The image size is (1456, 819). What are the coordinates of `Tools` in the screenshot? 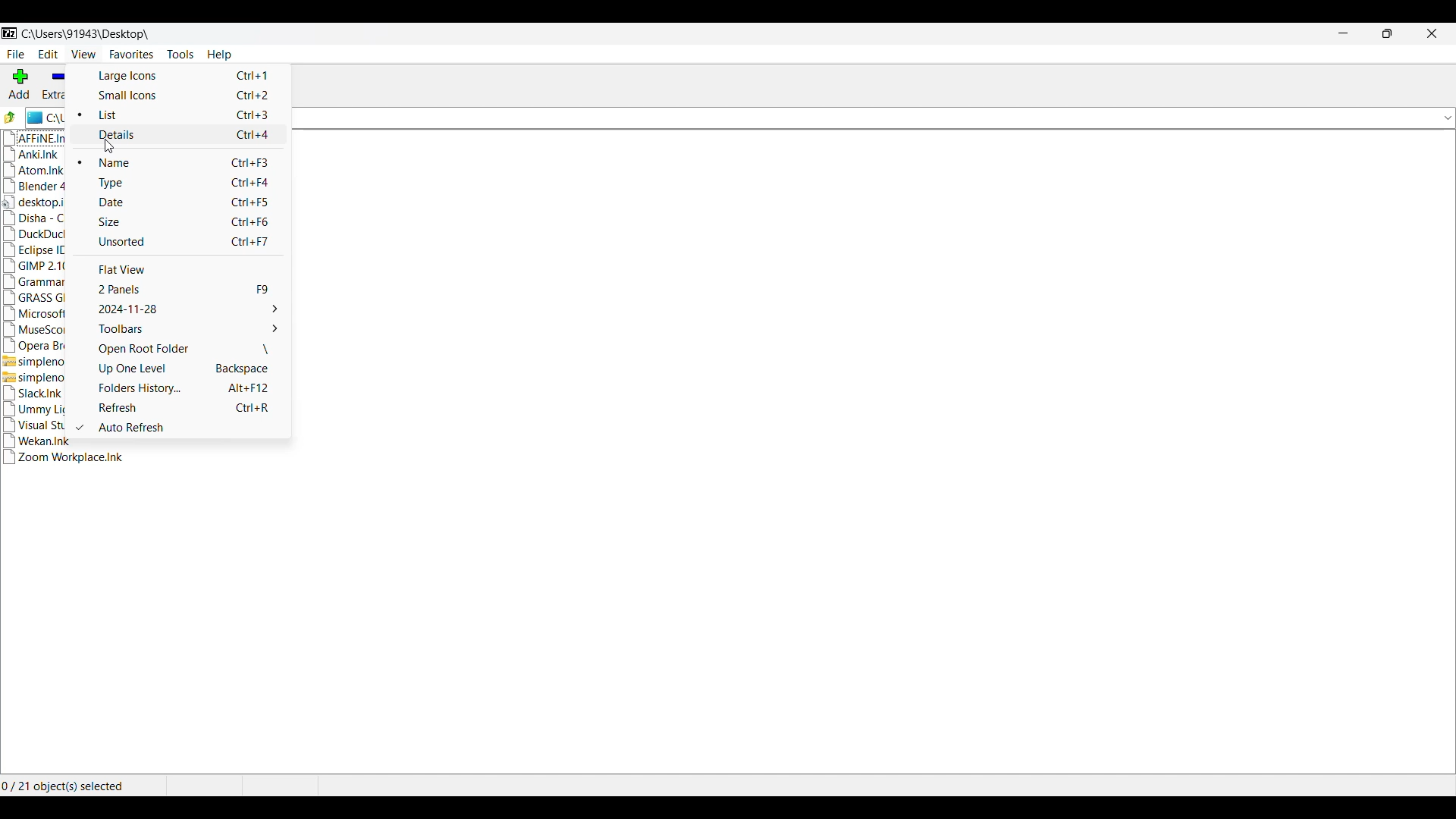 It's located at (180, 55).